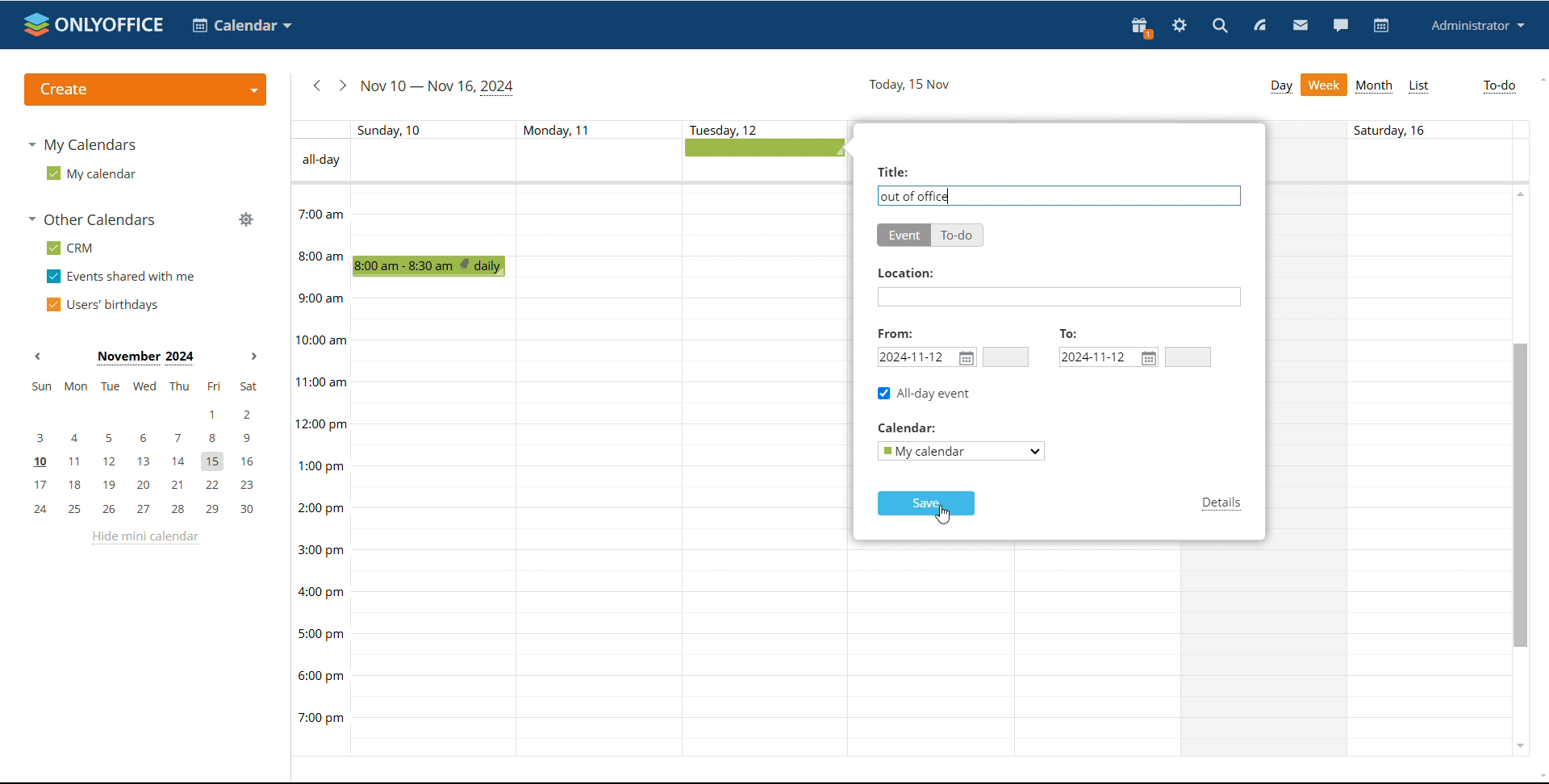  I want to click on profile, so click(1479, 26).